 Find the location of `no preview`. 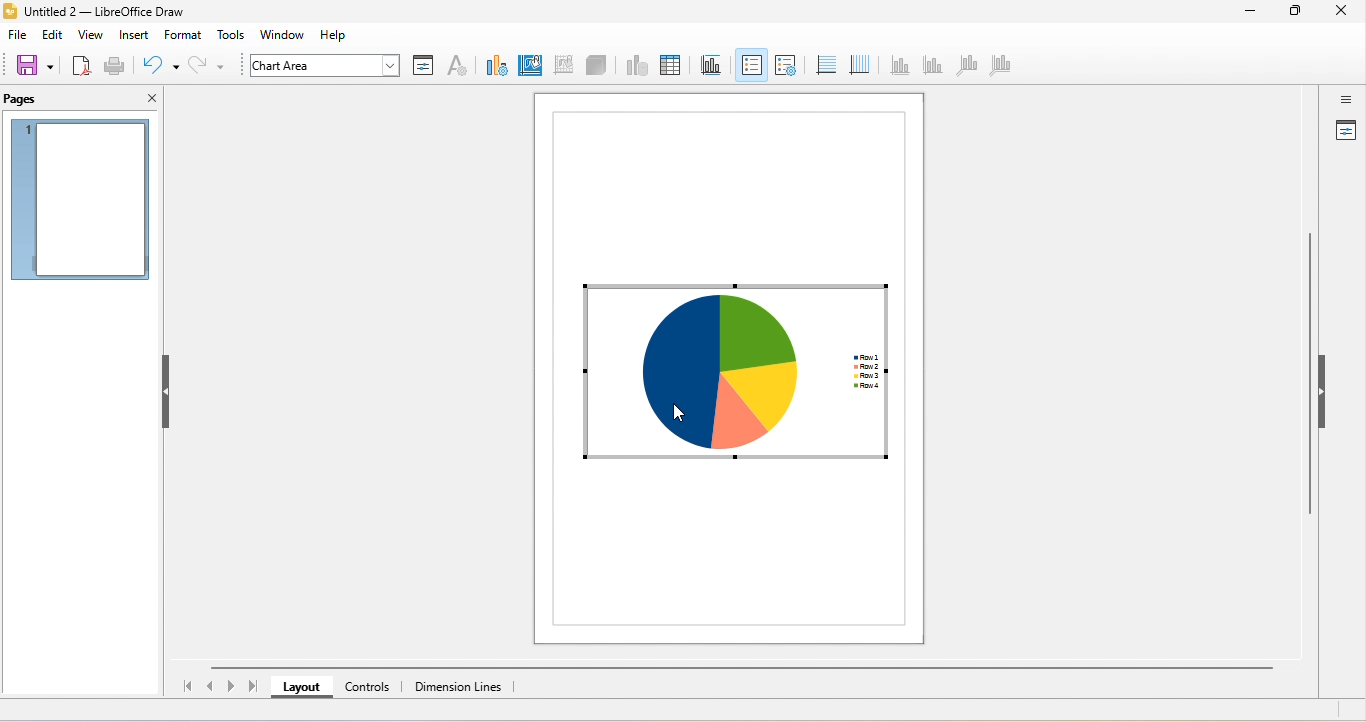

no preview is located at coordinates (81, 201).